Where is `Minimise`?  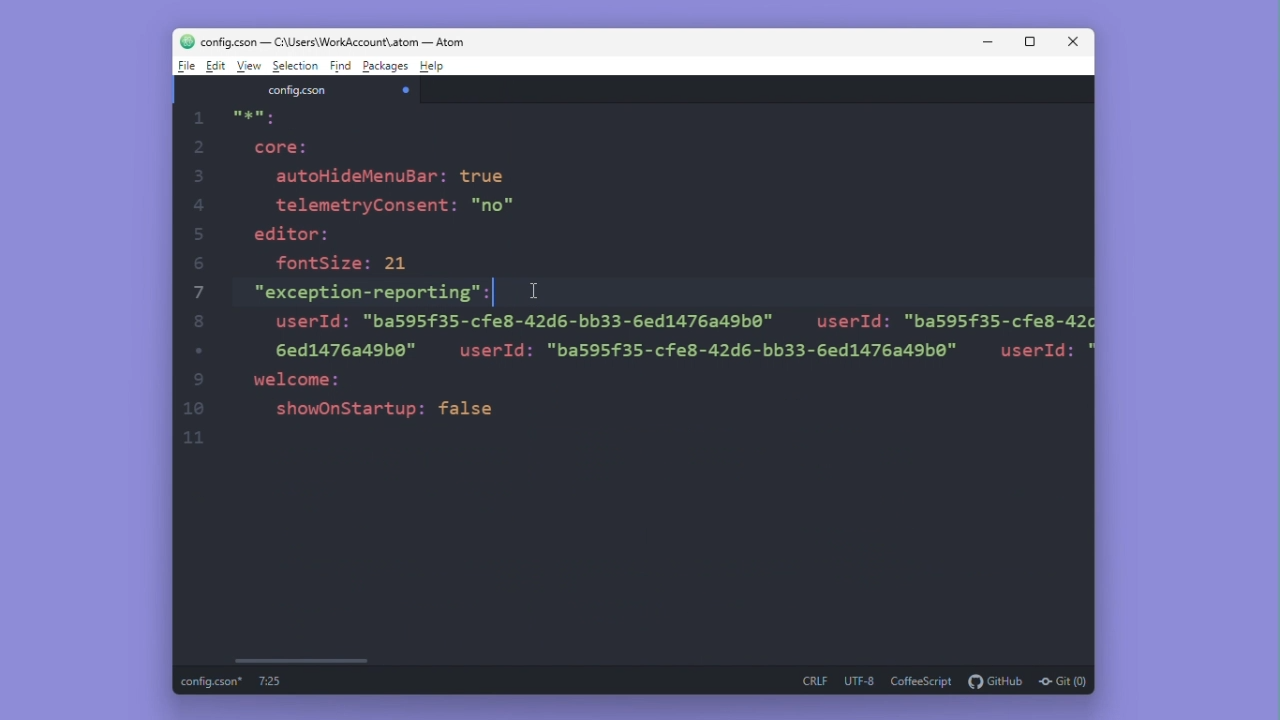
Minimise is located at coordinates (990, 41).